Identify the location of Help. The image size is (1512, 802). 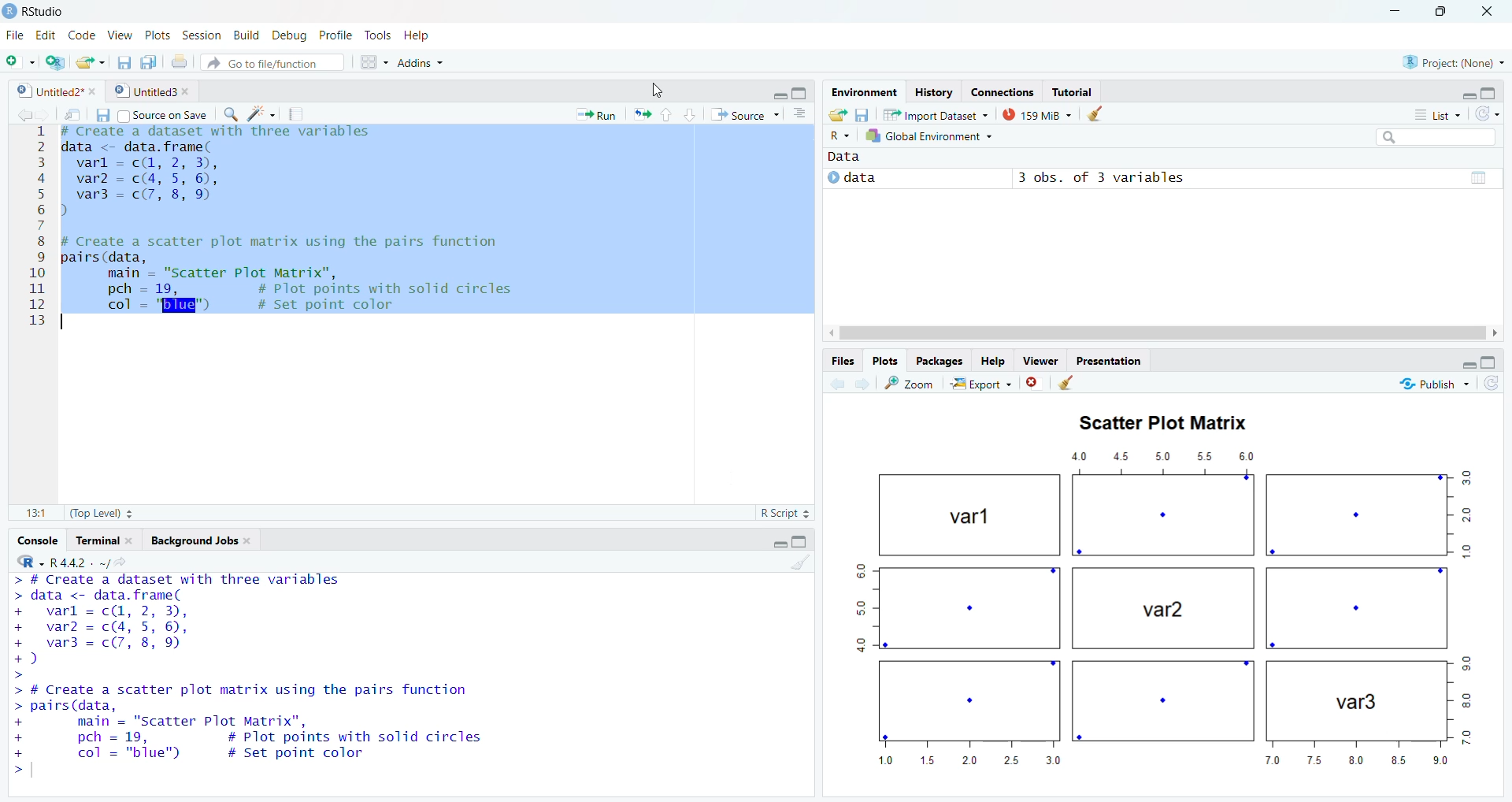
(995, 362).